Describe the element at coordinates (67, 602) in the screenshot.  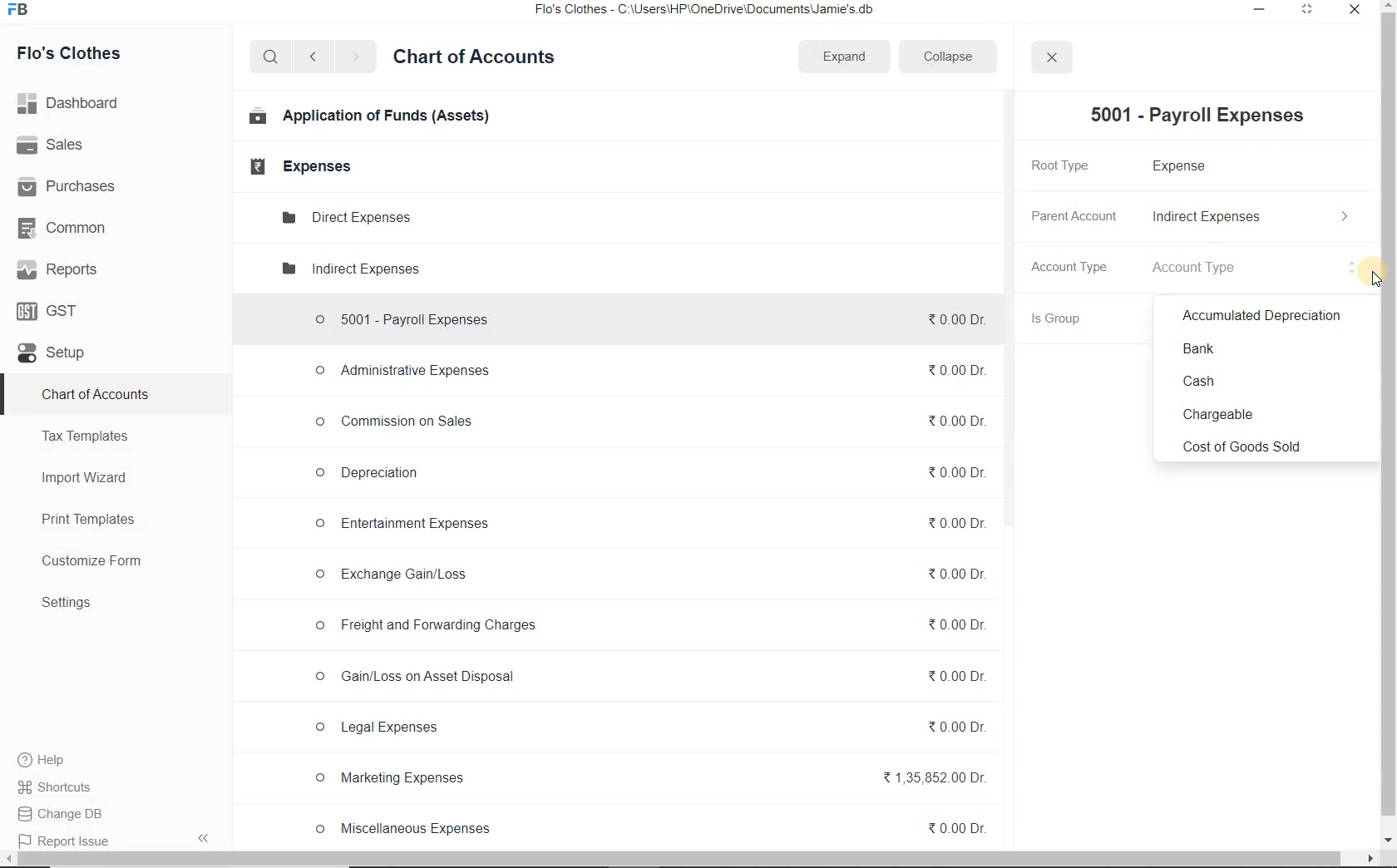
I see `Settings` at that location.